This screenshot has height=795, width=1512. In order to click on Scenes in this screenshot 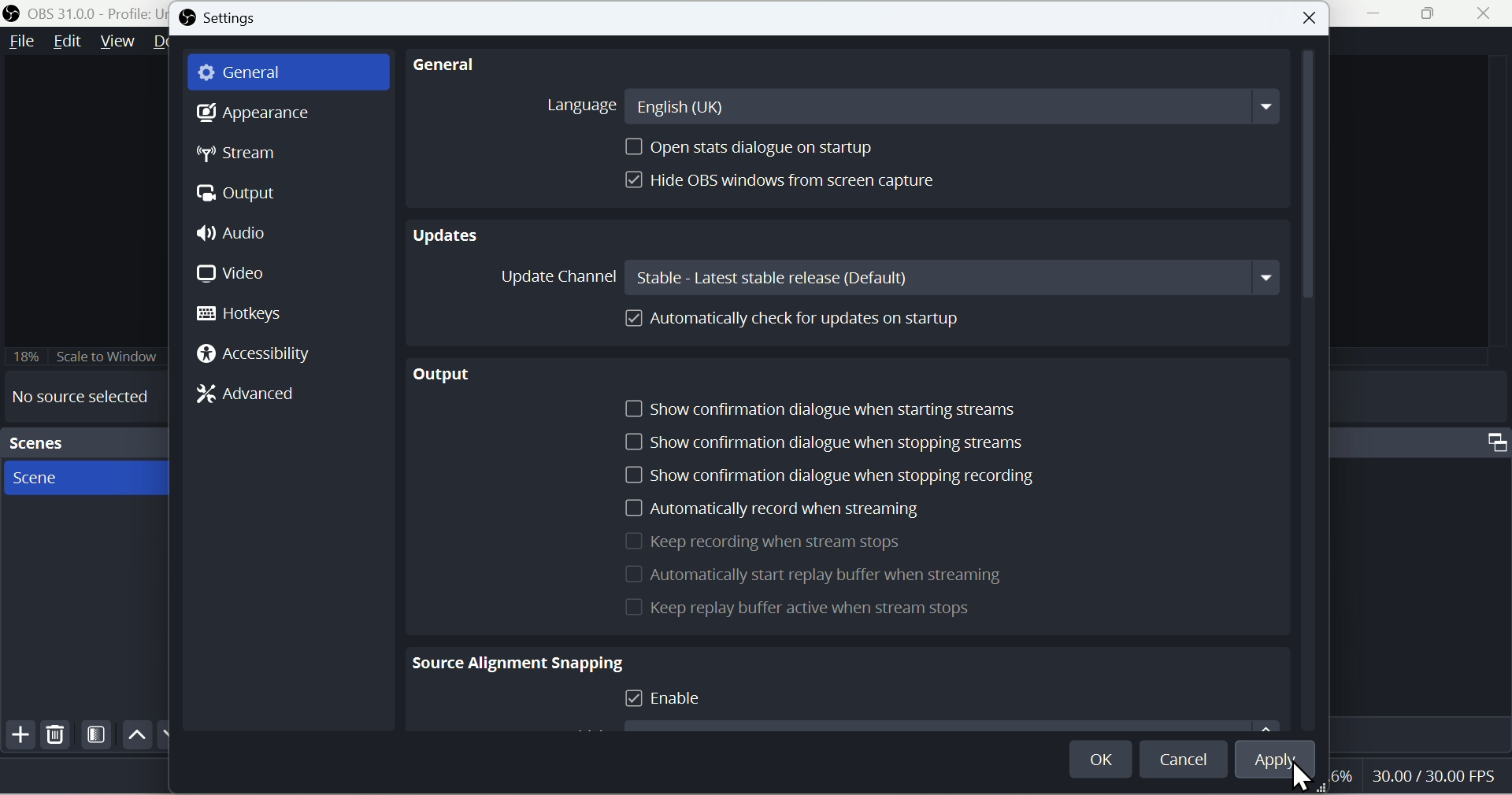, I will do `click(83, 440)`.